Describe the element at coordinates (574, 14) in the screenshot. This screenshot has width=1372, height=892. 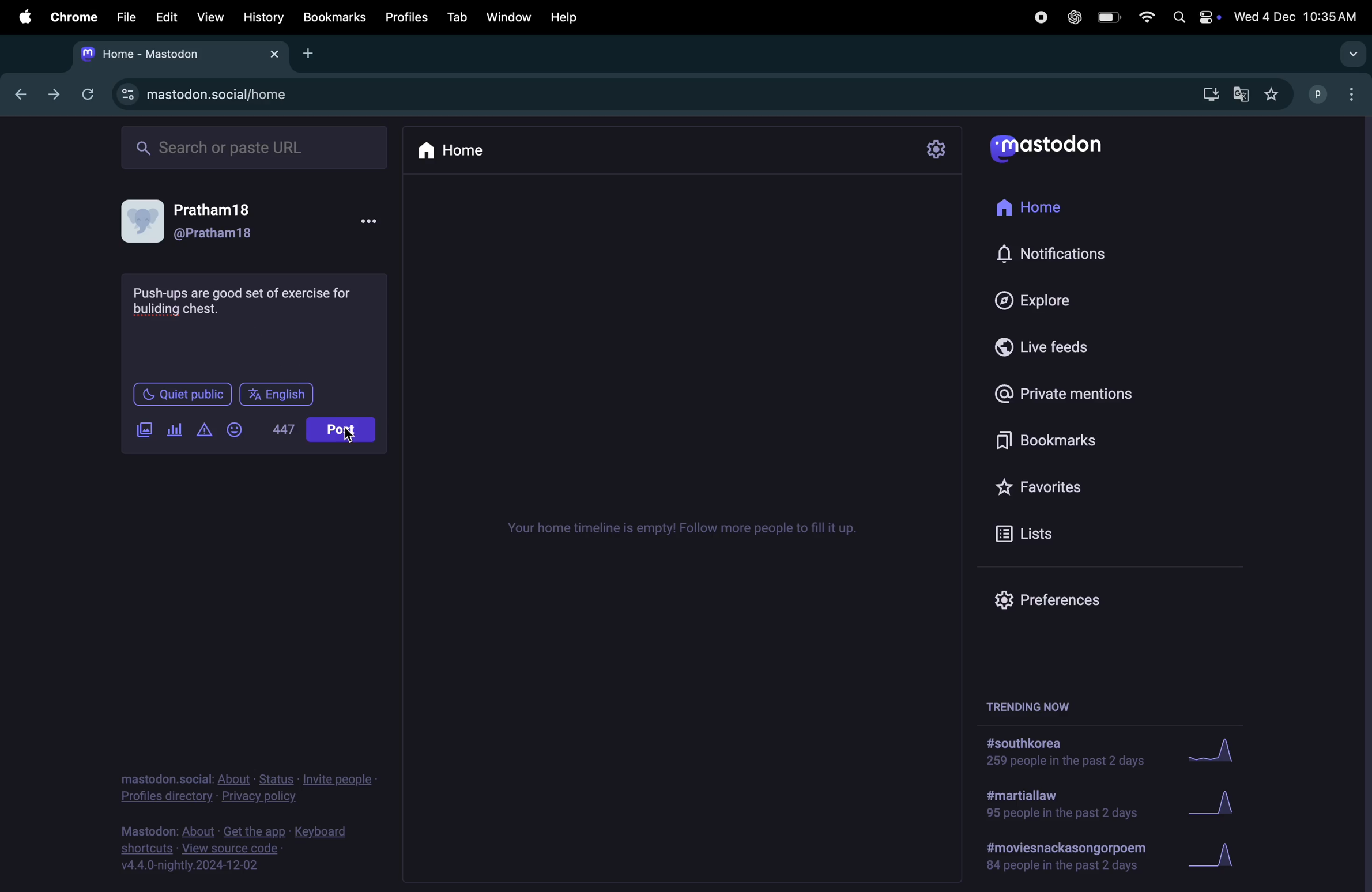
I see `help` at that location.